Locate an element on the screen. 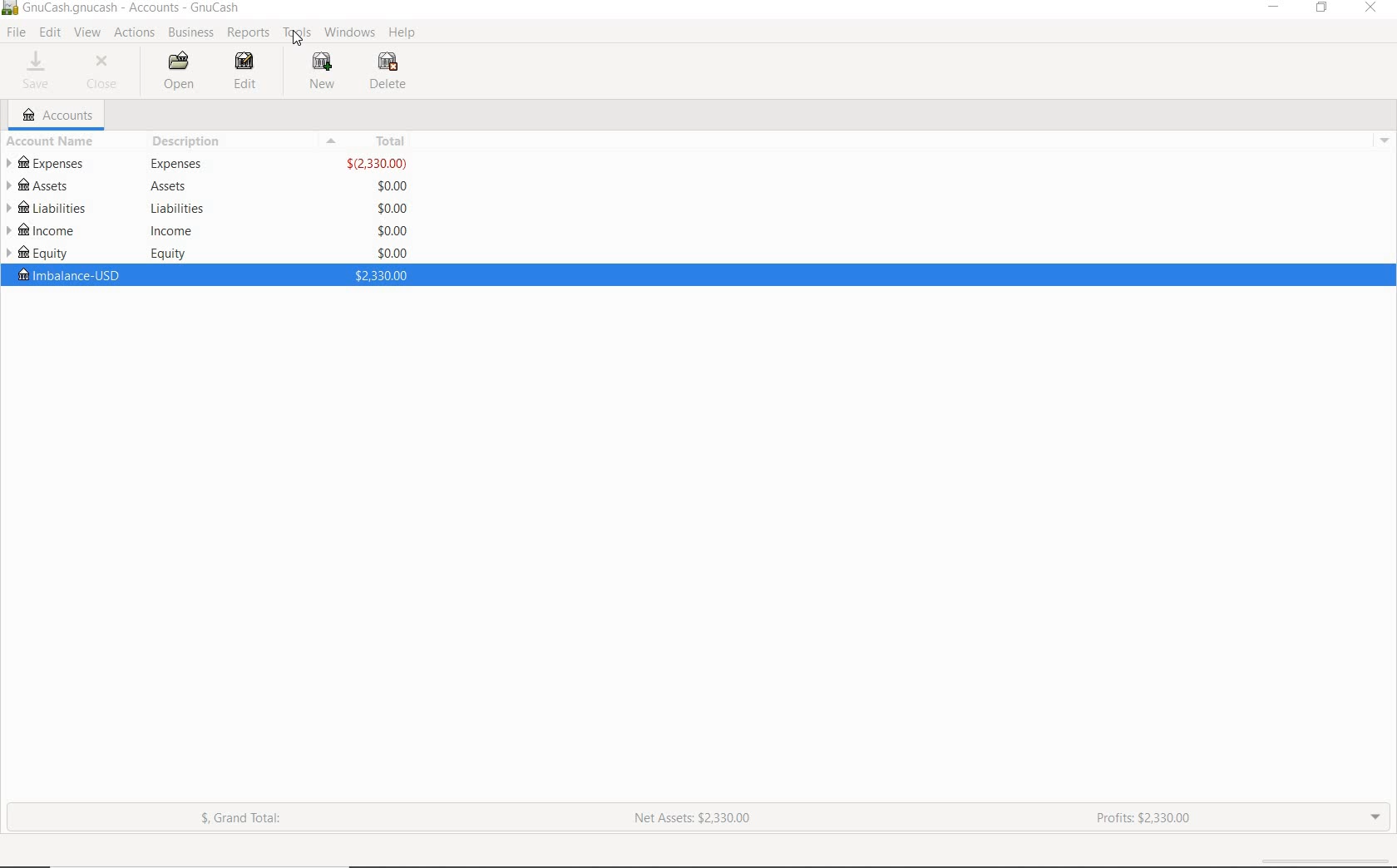  DELETE is located at coordinates (389, 72).